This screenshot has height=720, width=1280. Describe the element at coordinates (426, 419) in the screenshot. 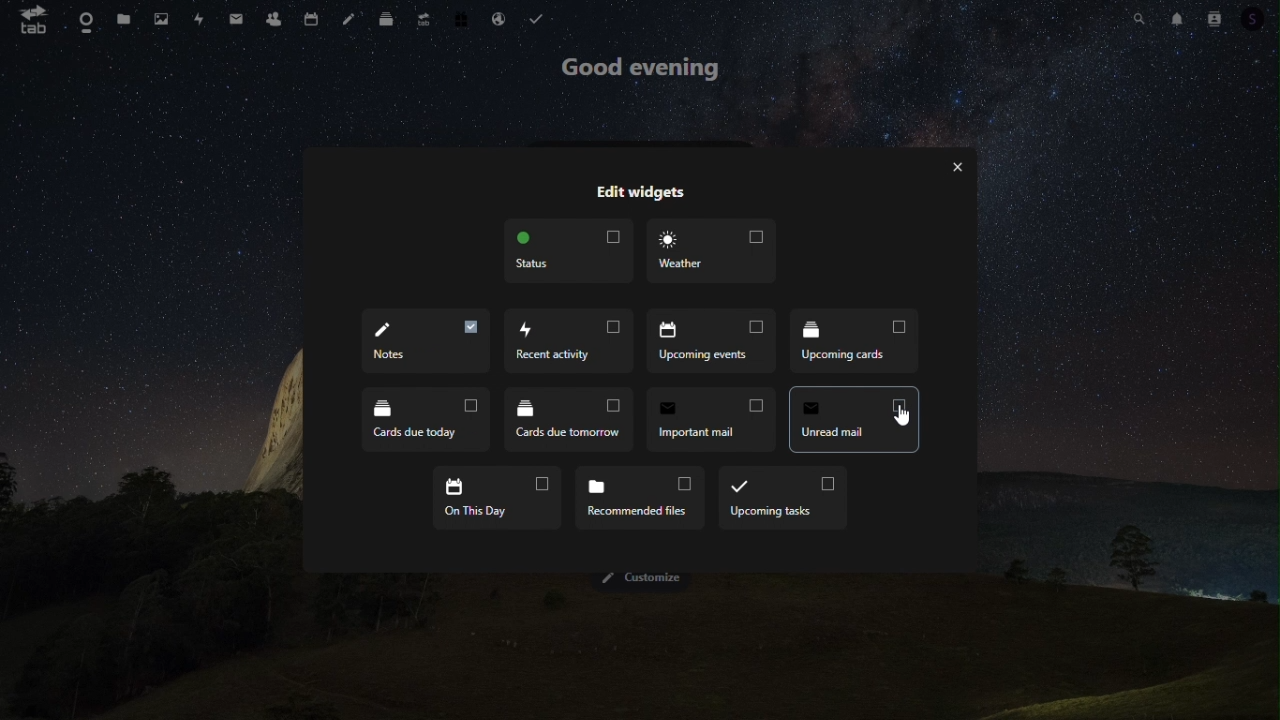

I see `cards due tomorrow` at that location.